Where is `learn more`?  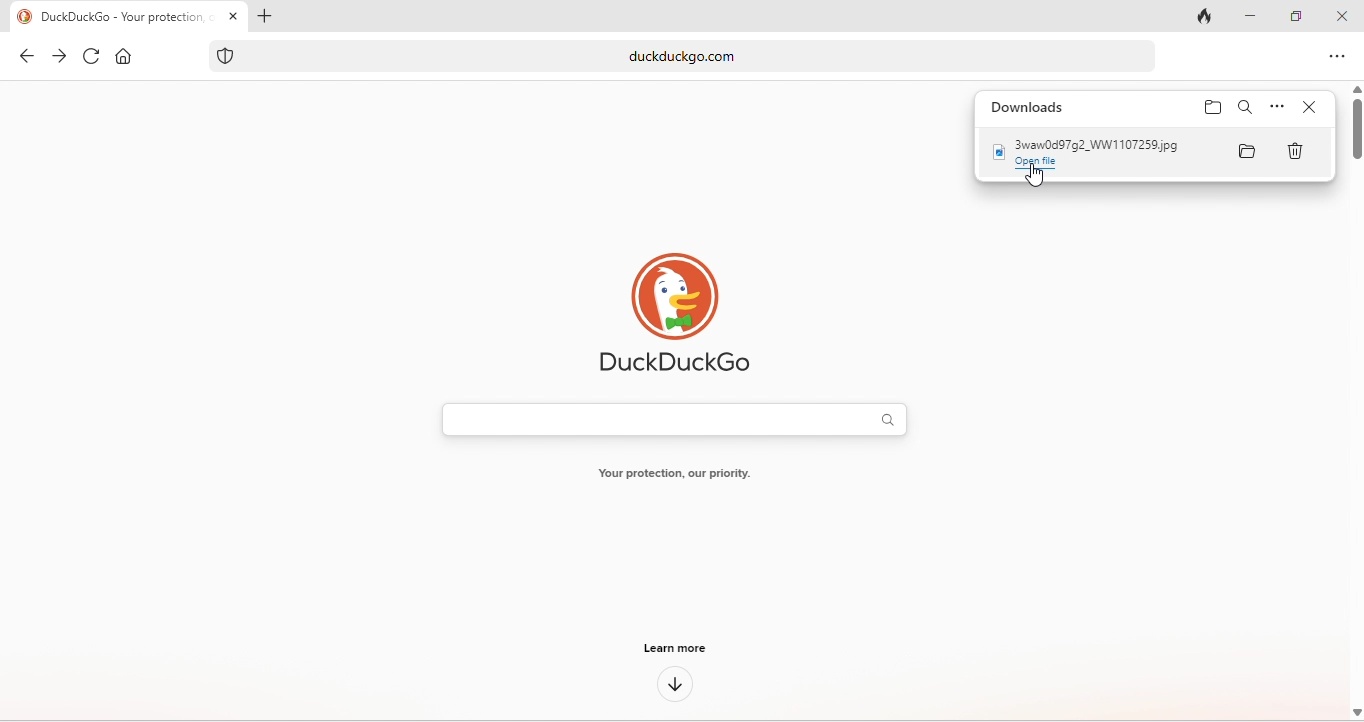 learn more is located at coordinates (690, 649).